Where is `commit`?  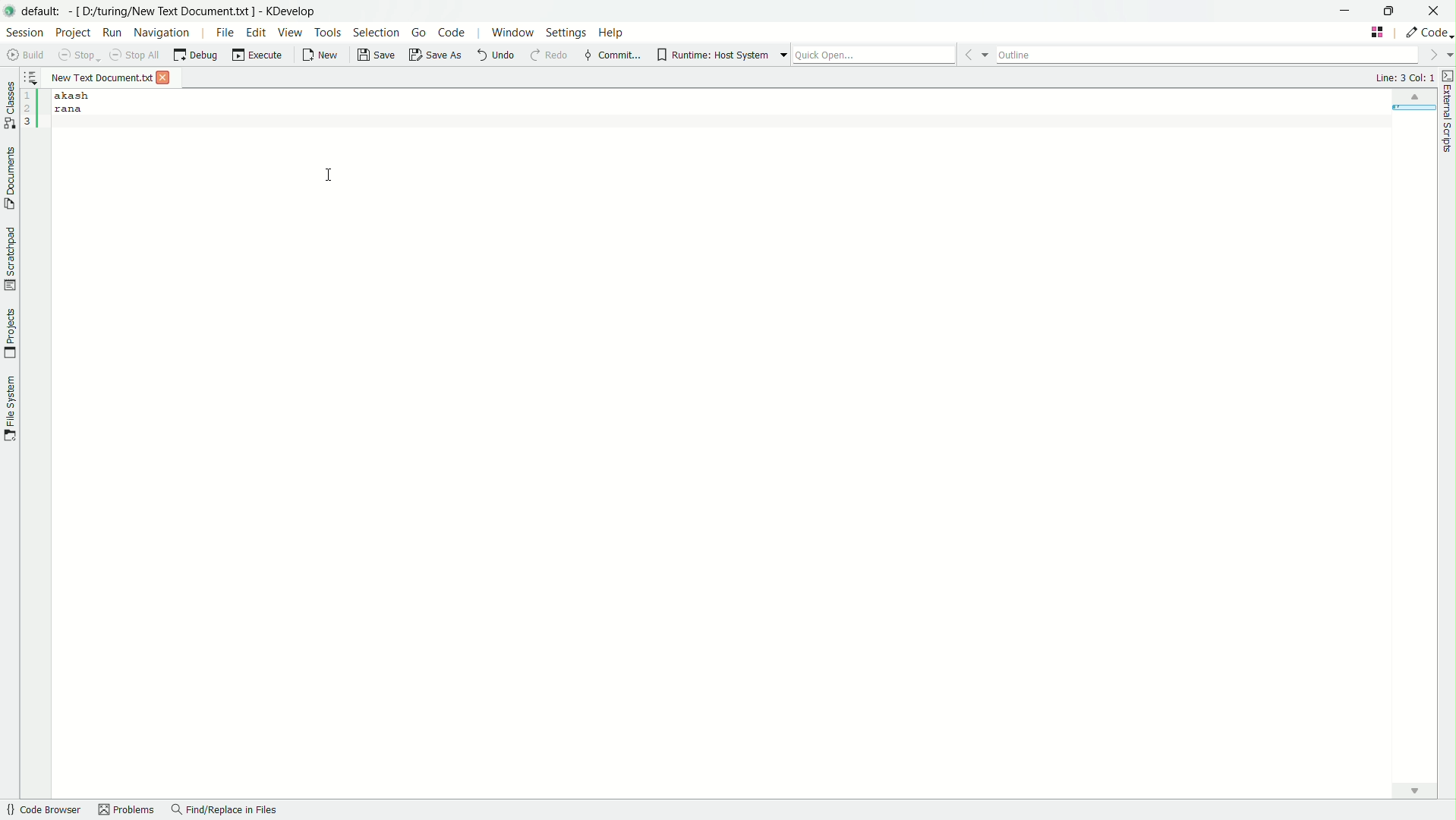 commit is located at coordinates (612, 55).